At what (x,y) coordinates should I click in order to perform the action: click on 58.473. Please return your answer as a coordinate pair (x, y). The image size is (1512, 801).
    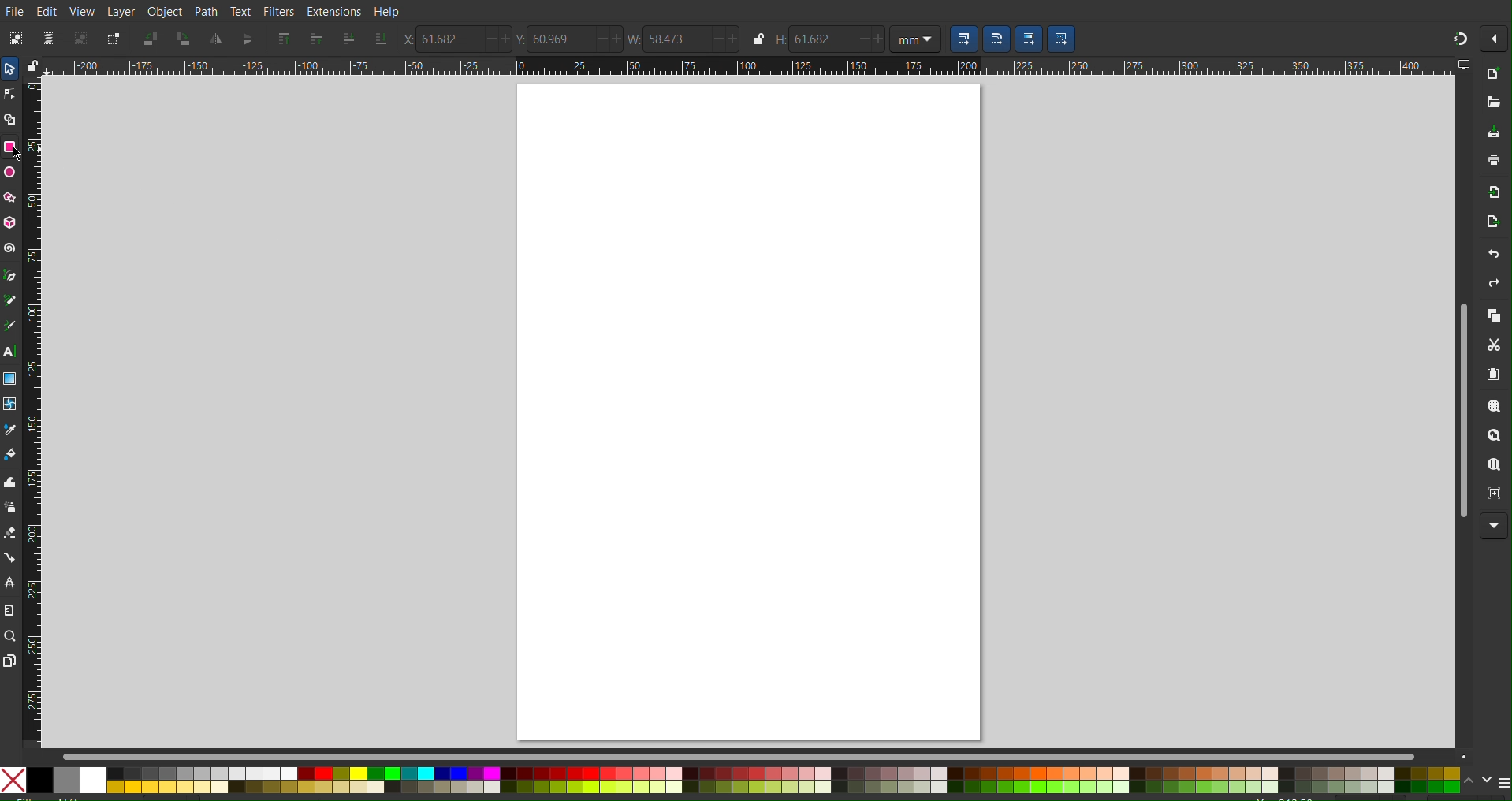
    Looking at the image, I should click on (675, 40).